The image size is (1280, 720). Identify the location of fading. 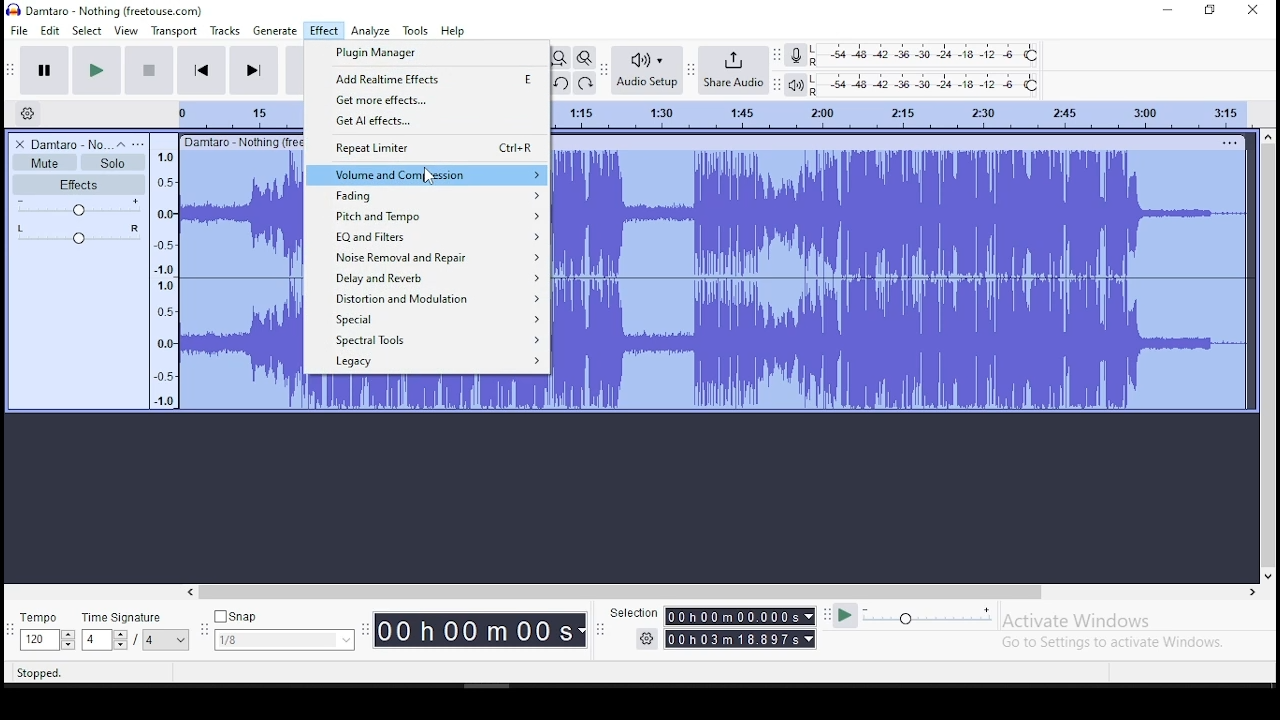
(427, 194).